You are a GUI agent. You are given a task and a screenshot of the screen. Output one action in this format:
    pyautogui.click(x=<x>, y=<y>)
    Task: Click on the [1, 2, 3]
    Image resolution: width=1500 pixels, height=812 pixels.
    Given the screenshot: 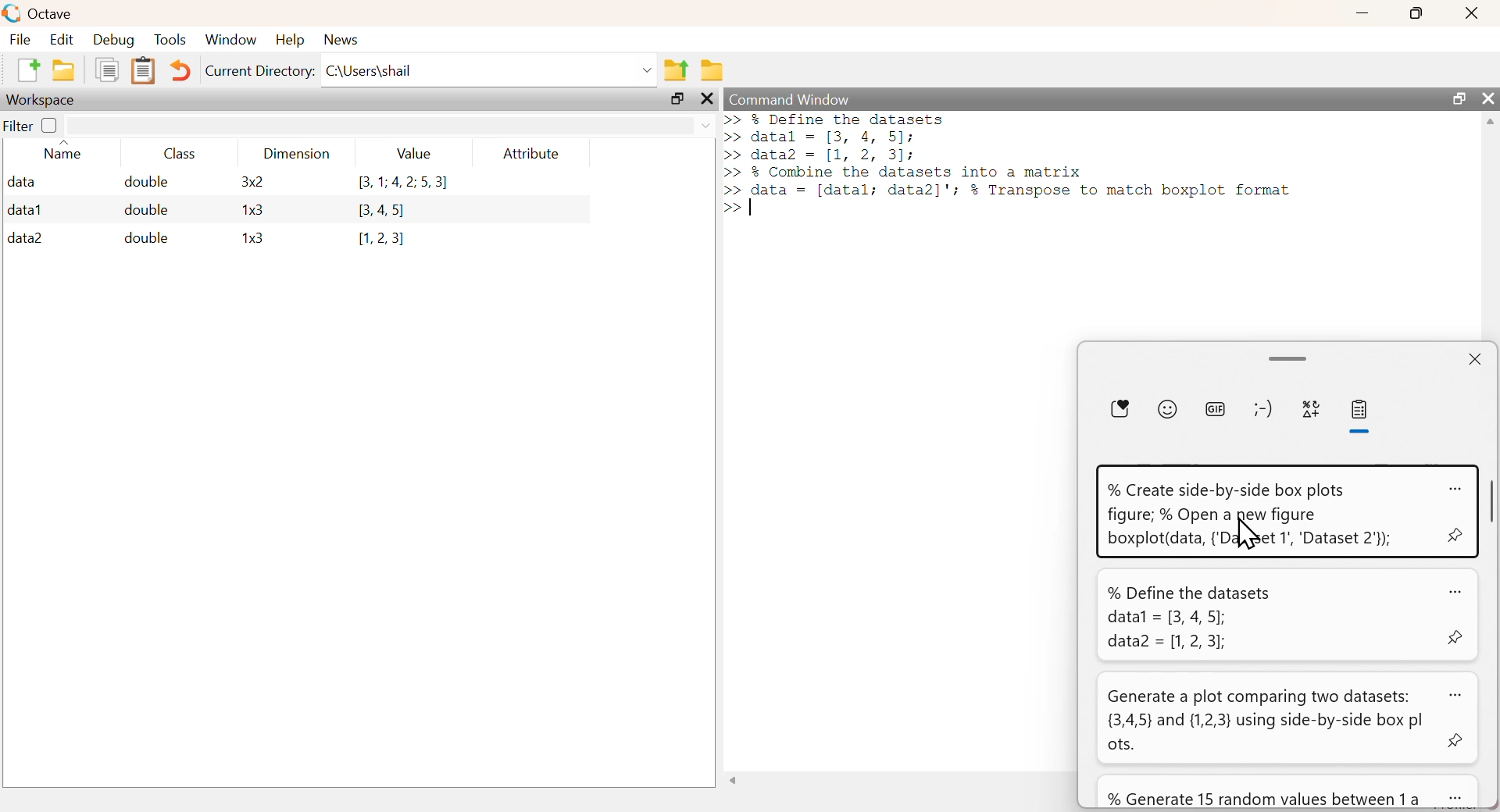 What is the action you would take?
    pyautogui.click(x=381, y=239)
    